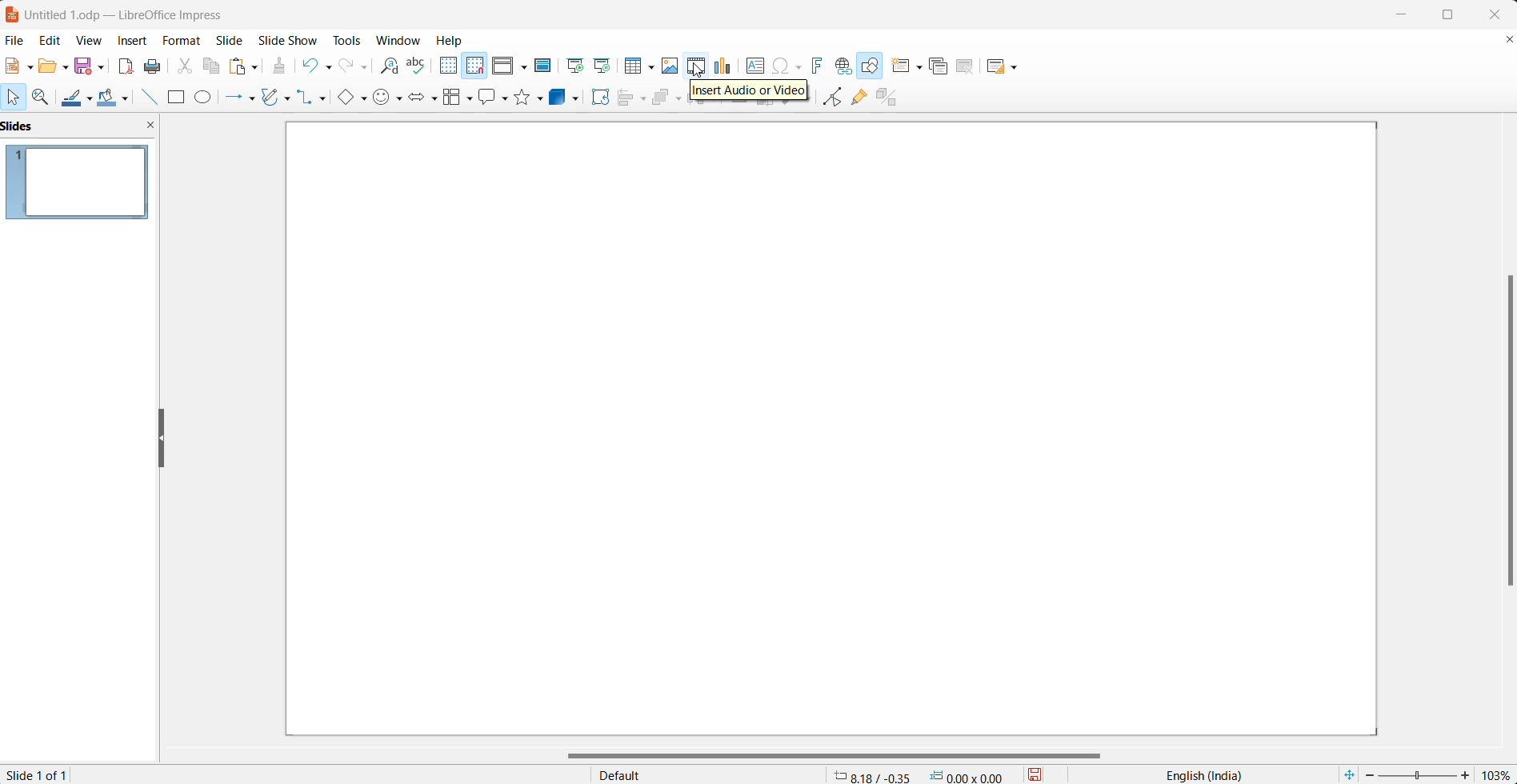  I want to click on select, so click(14, 97).